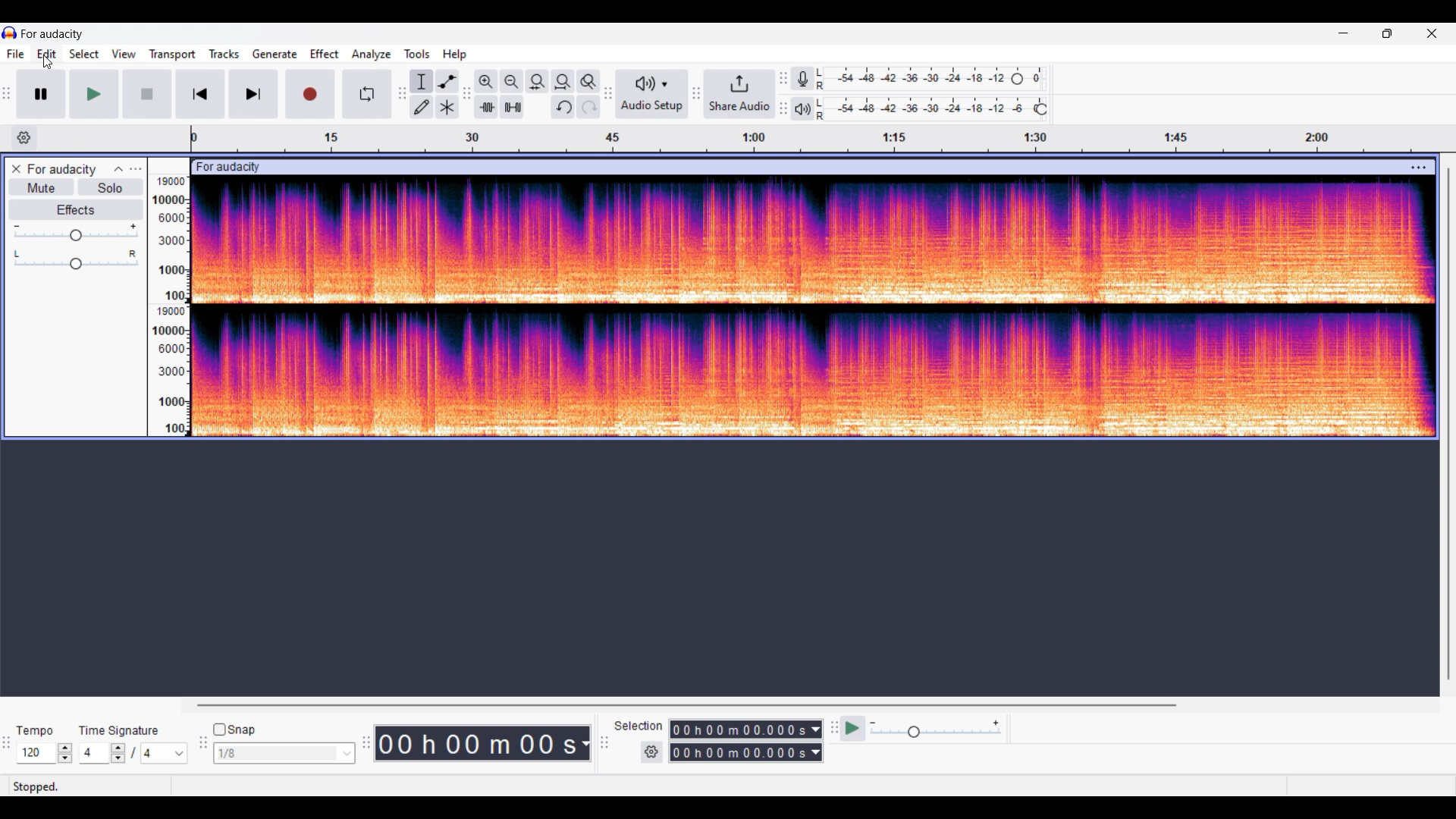 The height and width of the screenshot is (819, 1456). Describe the element at coordinates (588, 107) in the screenshot. I see `Redo` at that location.